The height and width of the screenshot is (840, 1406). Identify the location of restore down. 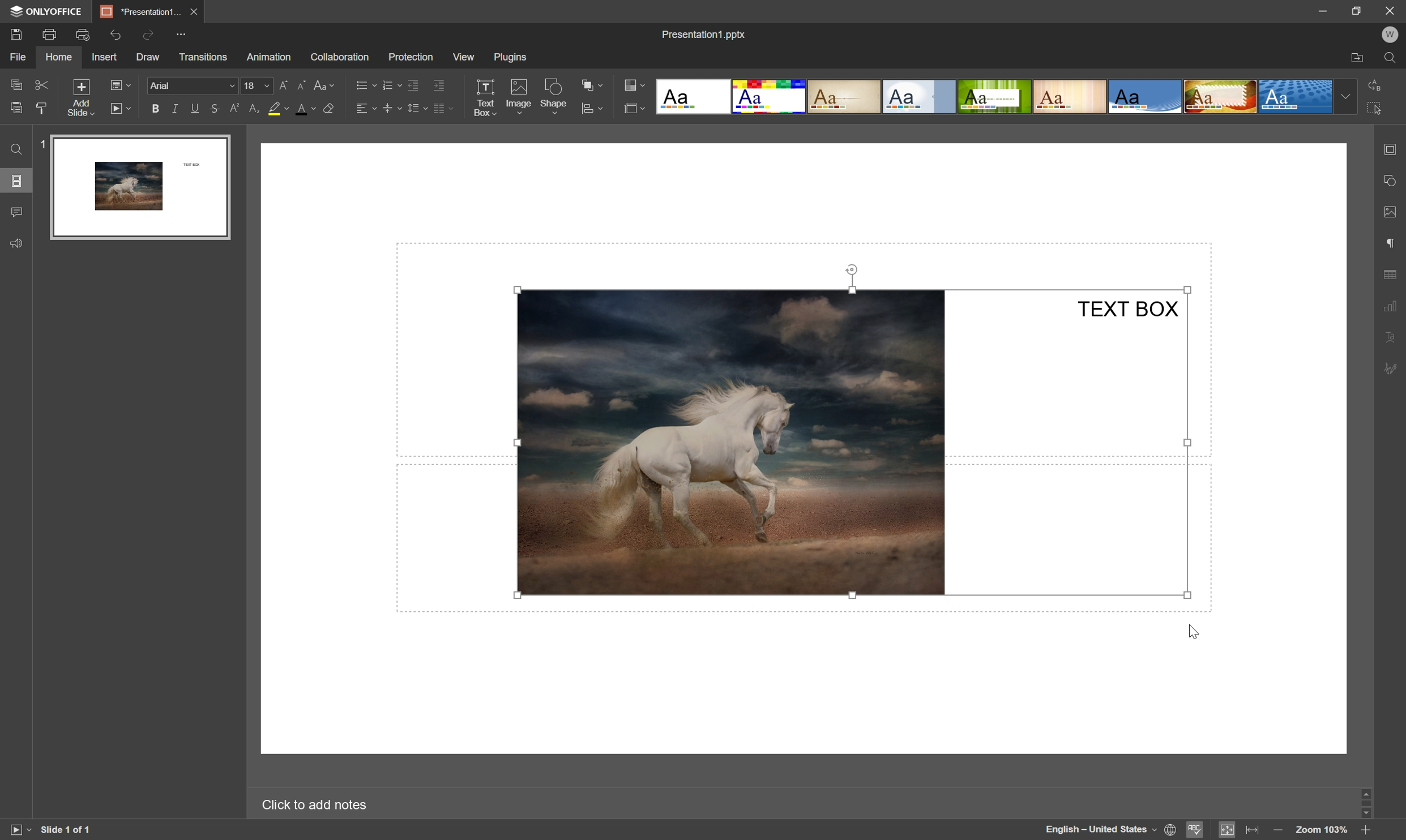
(1358, 8).